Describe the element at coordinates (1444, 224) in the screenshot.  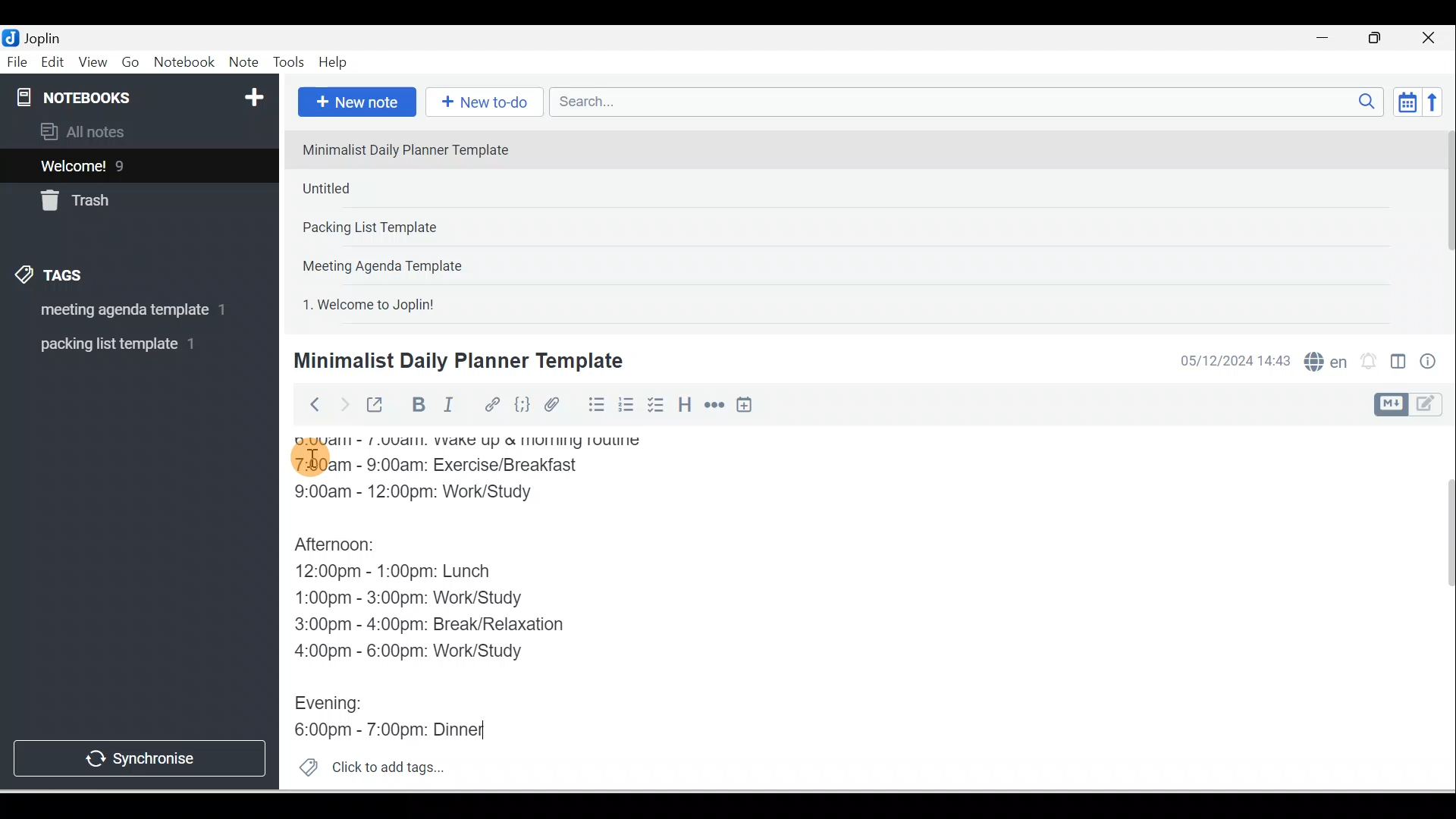
I see `Scroll bar` at that location.